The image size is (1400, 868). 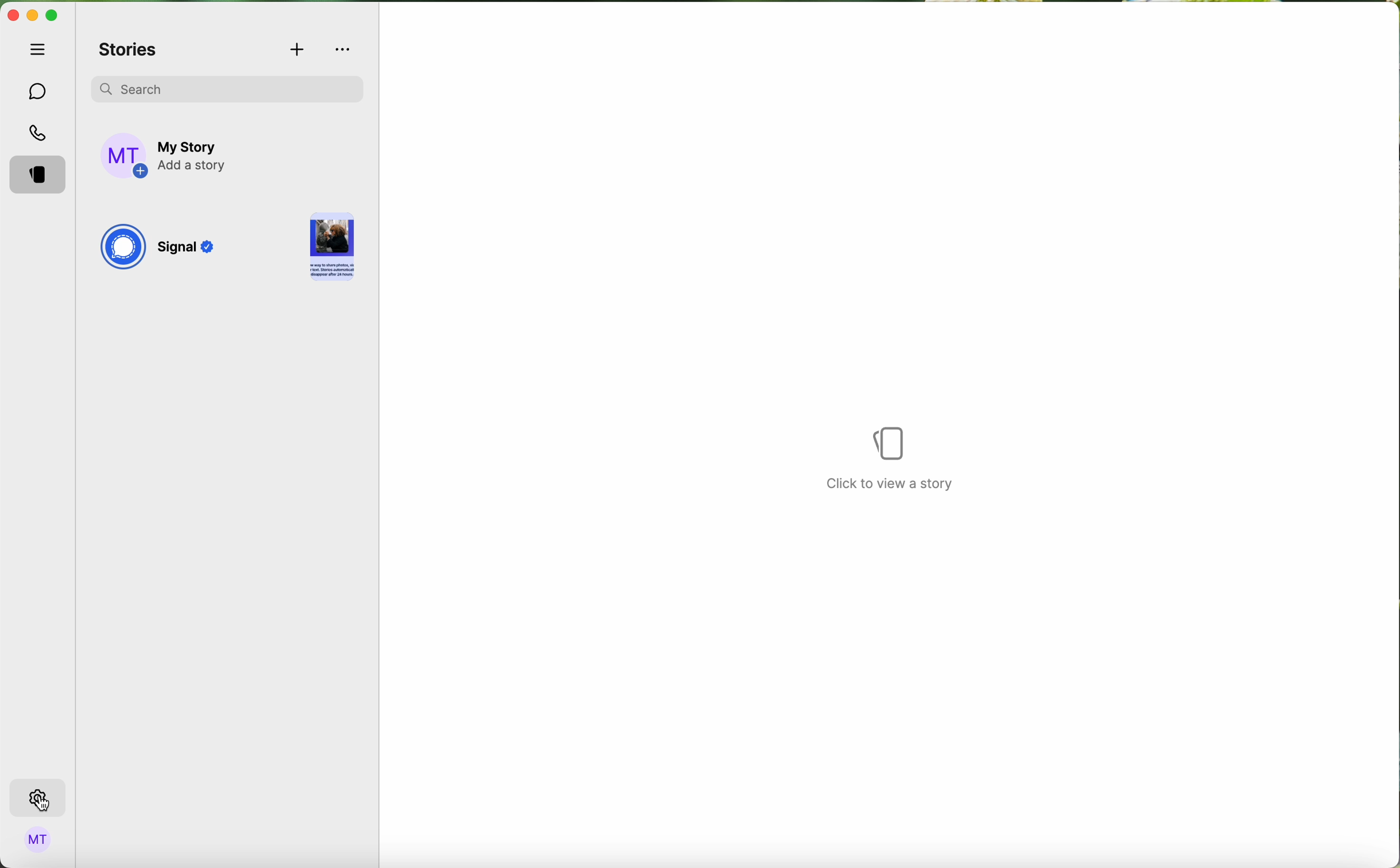 I want to click on hide tabs, so click(x=41, y=49).